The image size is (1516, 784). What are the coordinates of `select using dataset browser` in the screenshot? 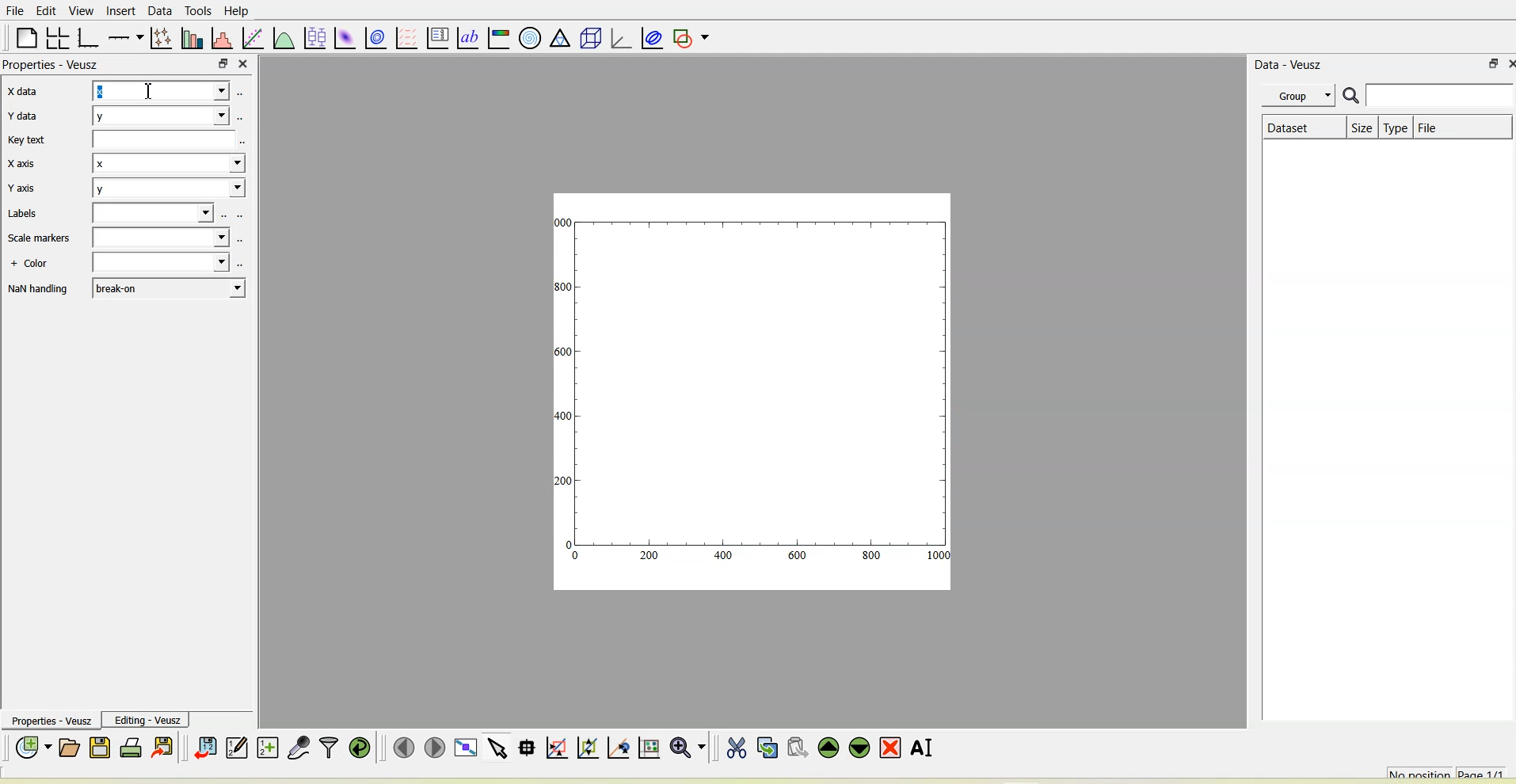 It's located at (244, 141).